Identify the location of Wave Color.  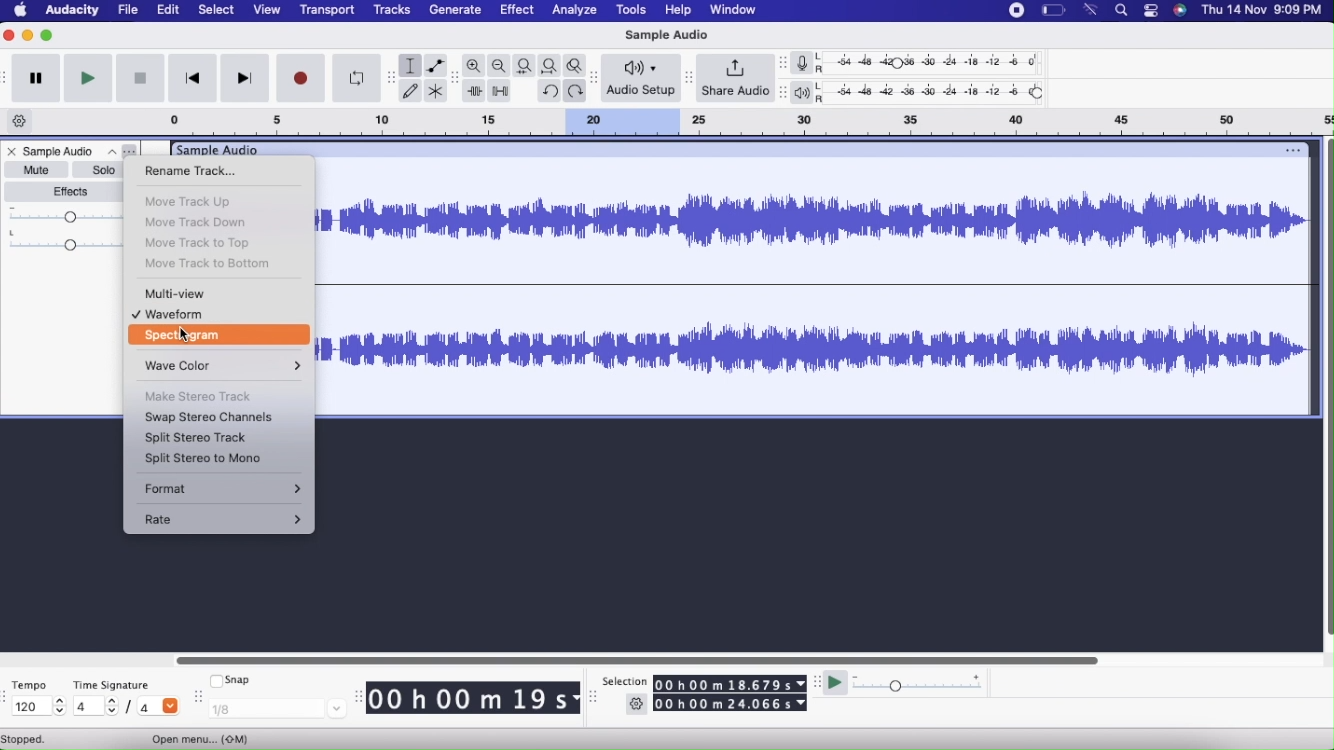
(219, 366).